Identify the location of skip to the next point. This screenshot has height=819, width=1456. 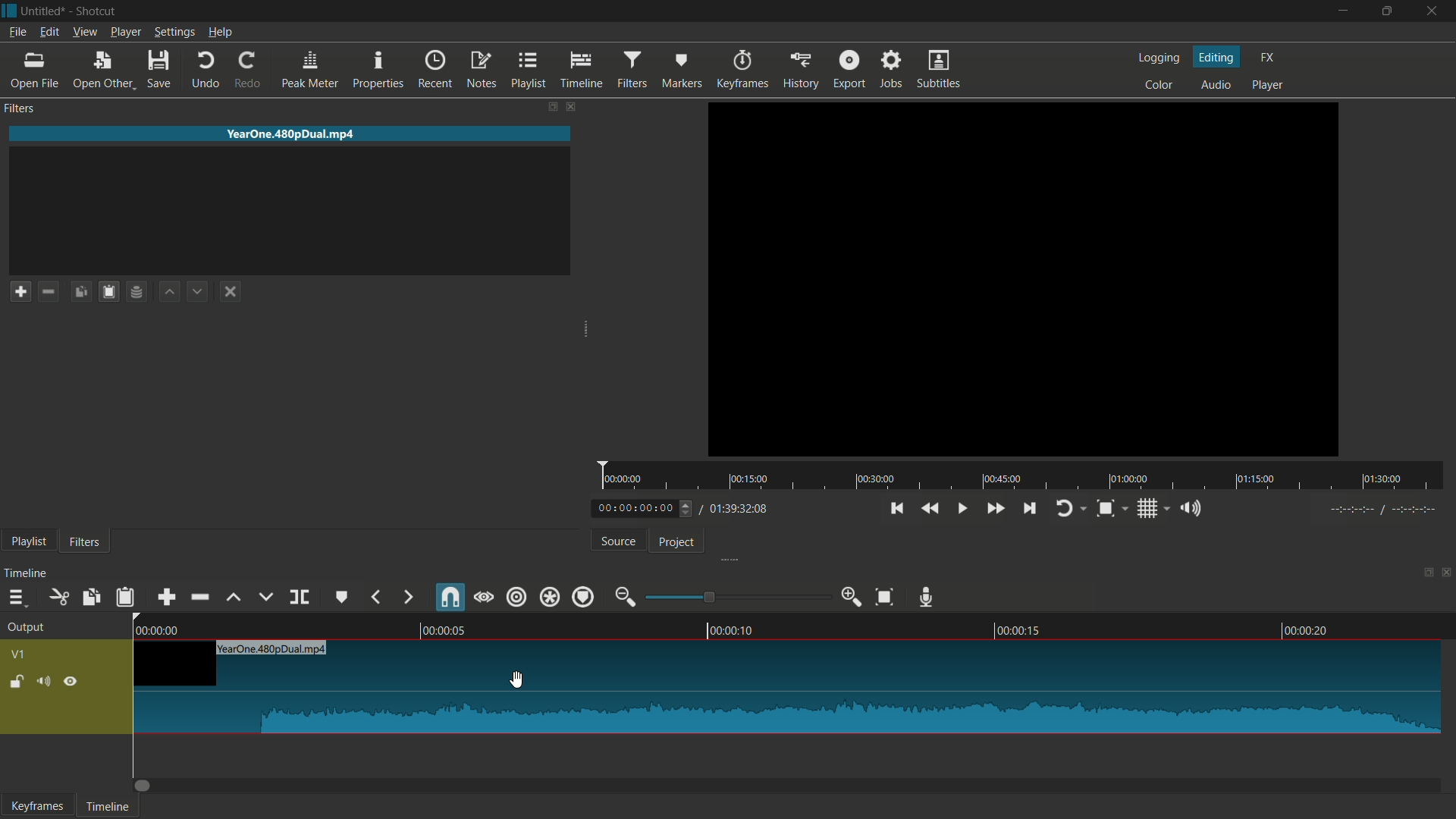
(1031, 509).